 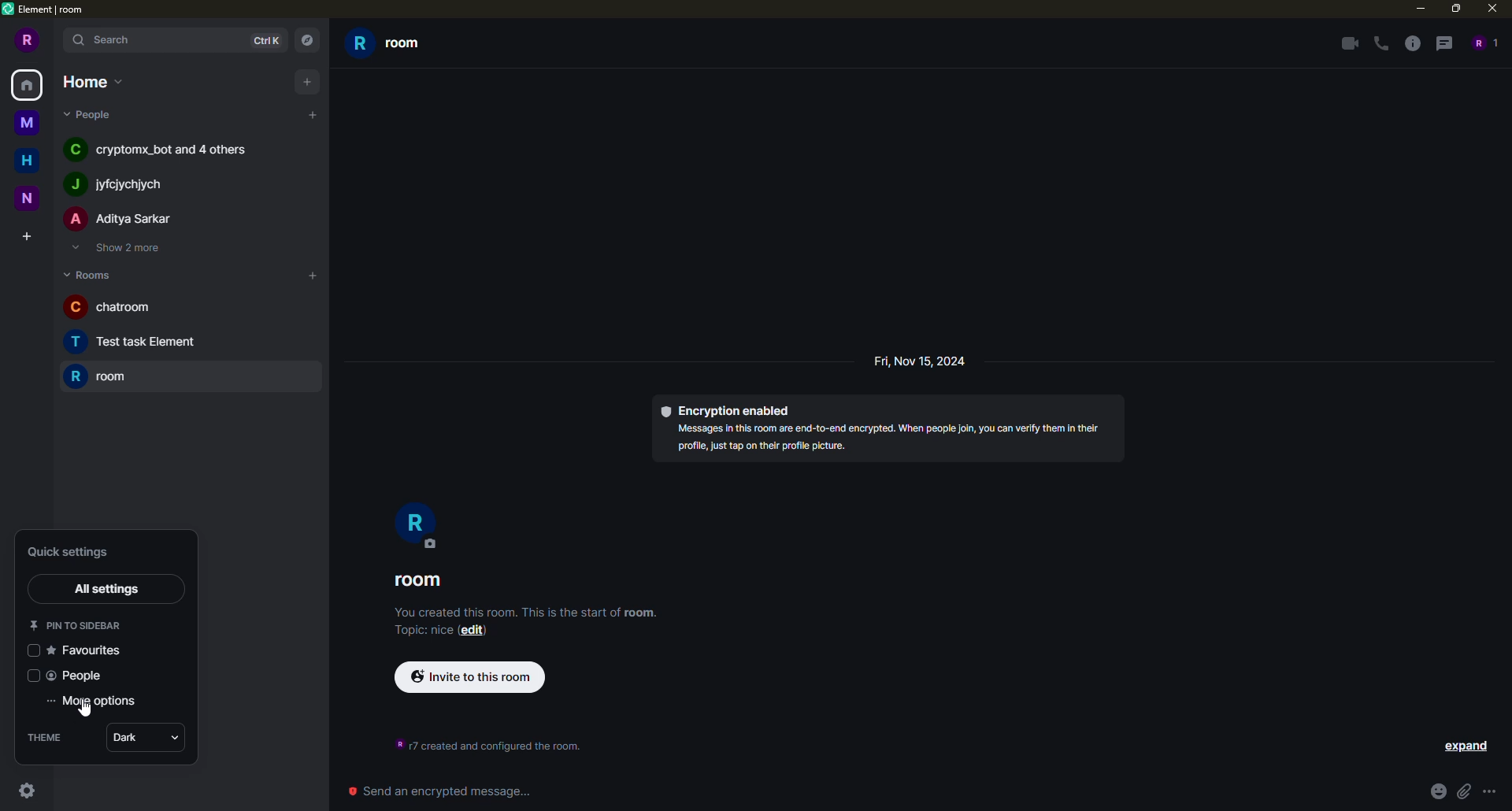 What do you see at coordinates (421, 581) in the screenshot?
I see `room` at bounding box center [421, 581].